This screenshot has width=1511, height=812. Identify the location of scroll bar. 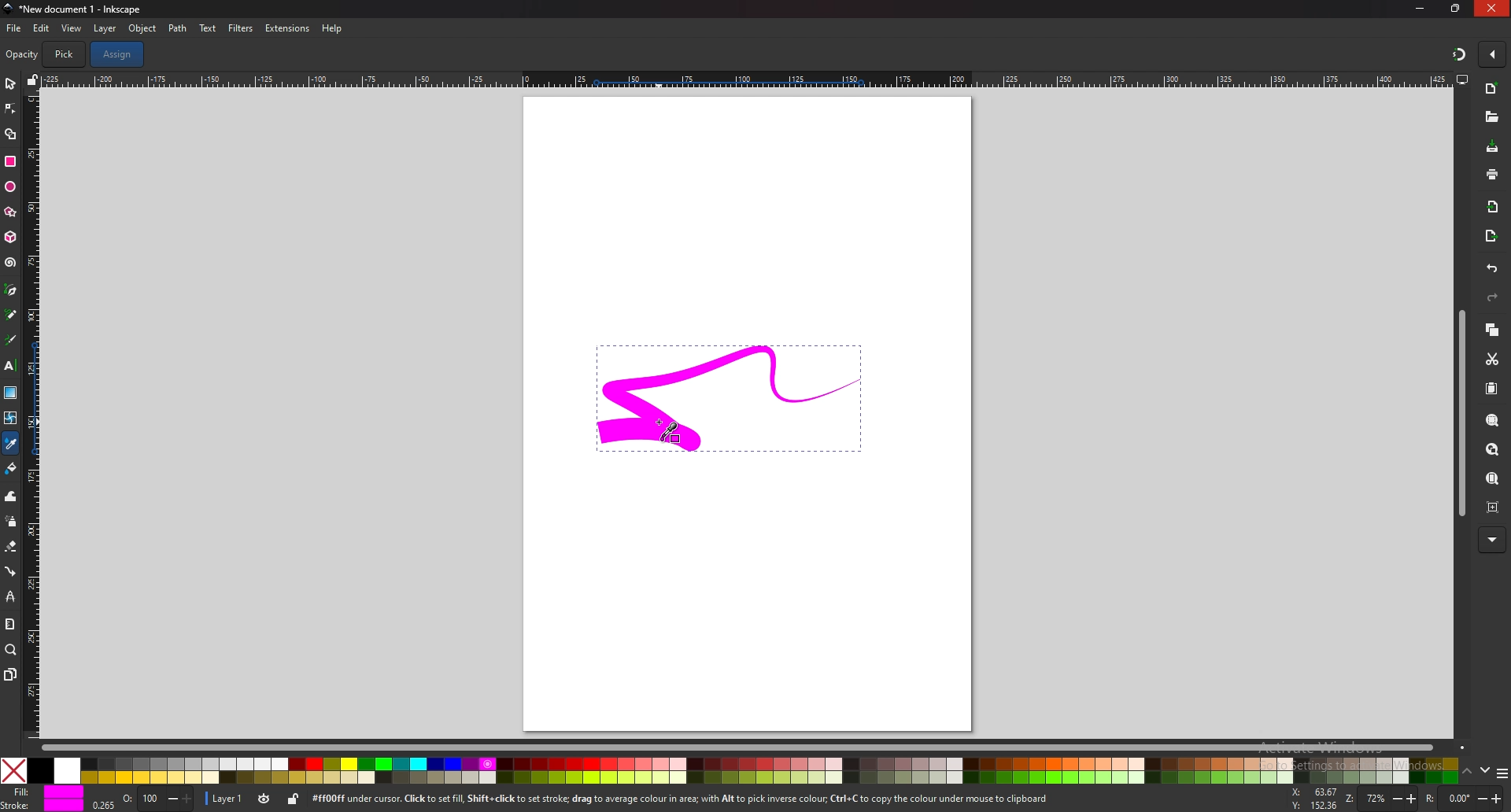
(753, 747).